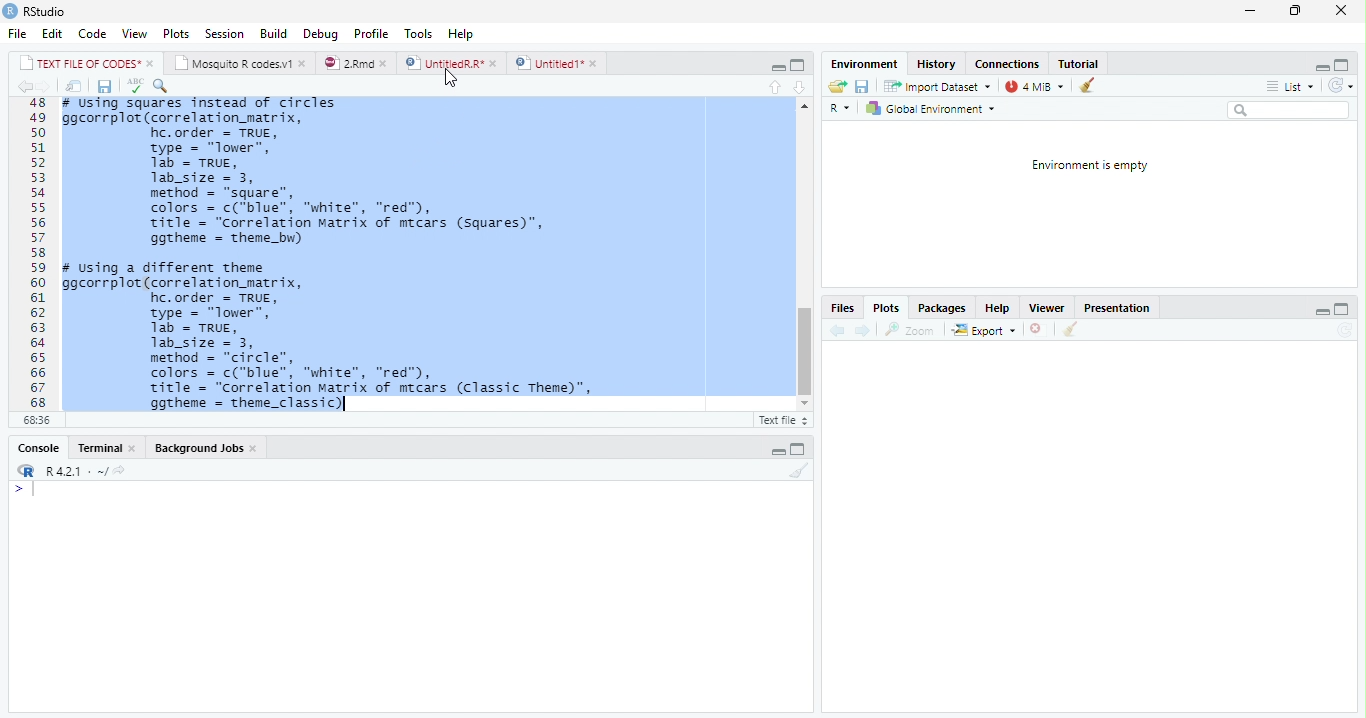 The image size is (1366, 718). Describe the element at coordinates (1322, 311) in the screenshot. I see `hide r script` at that location.